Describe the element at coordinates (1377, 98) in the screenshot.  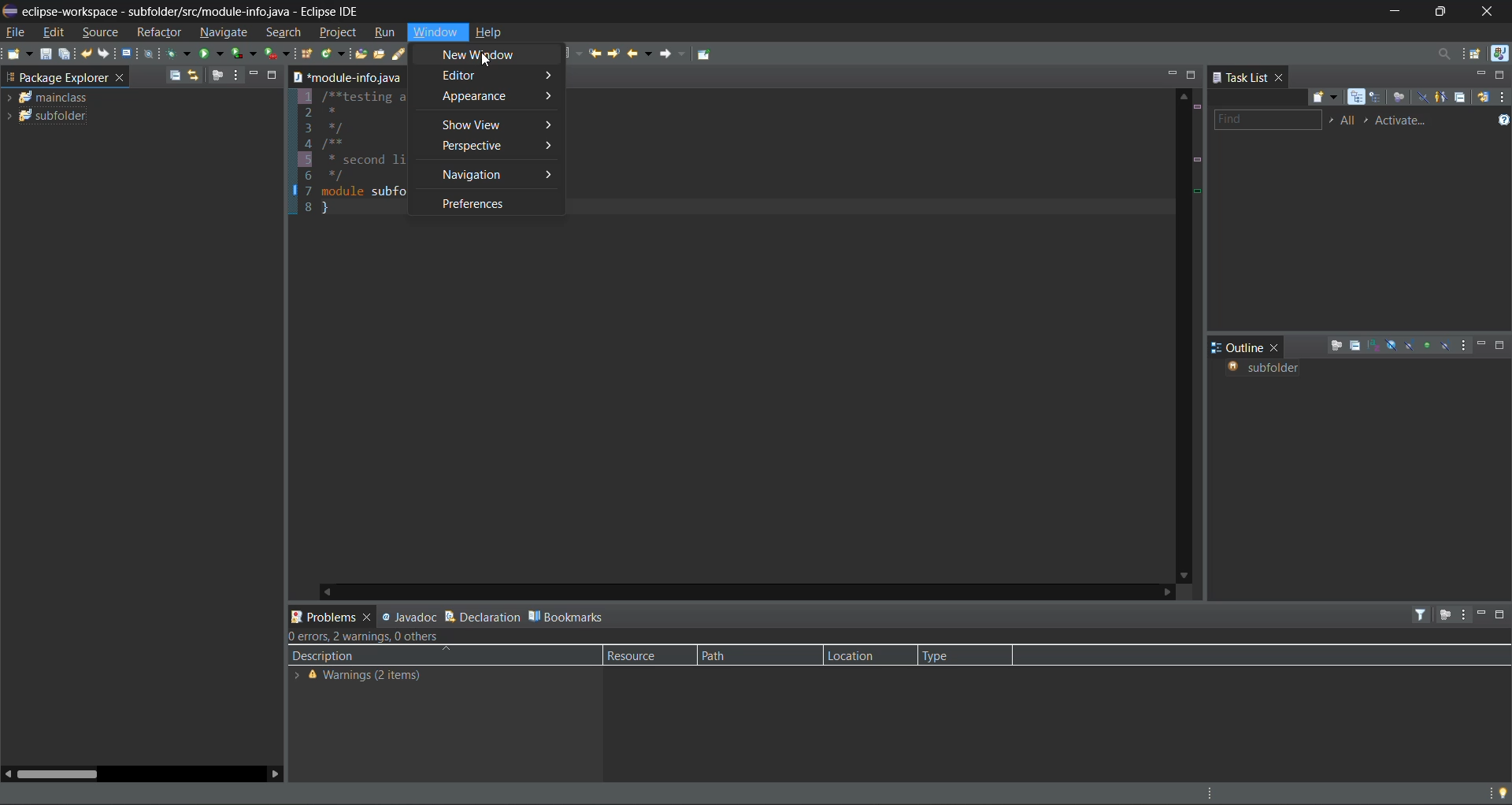
I see `scheduled` at that location.